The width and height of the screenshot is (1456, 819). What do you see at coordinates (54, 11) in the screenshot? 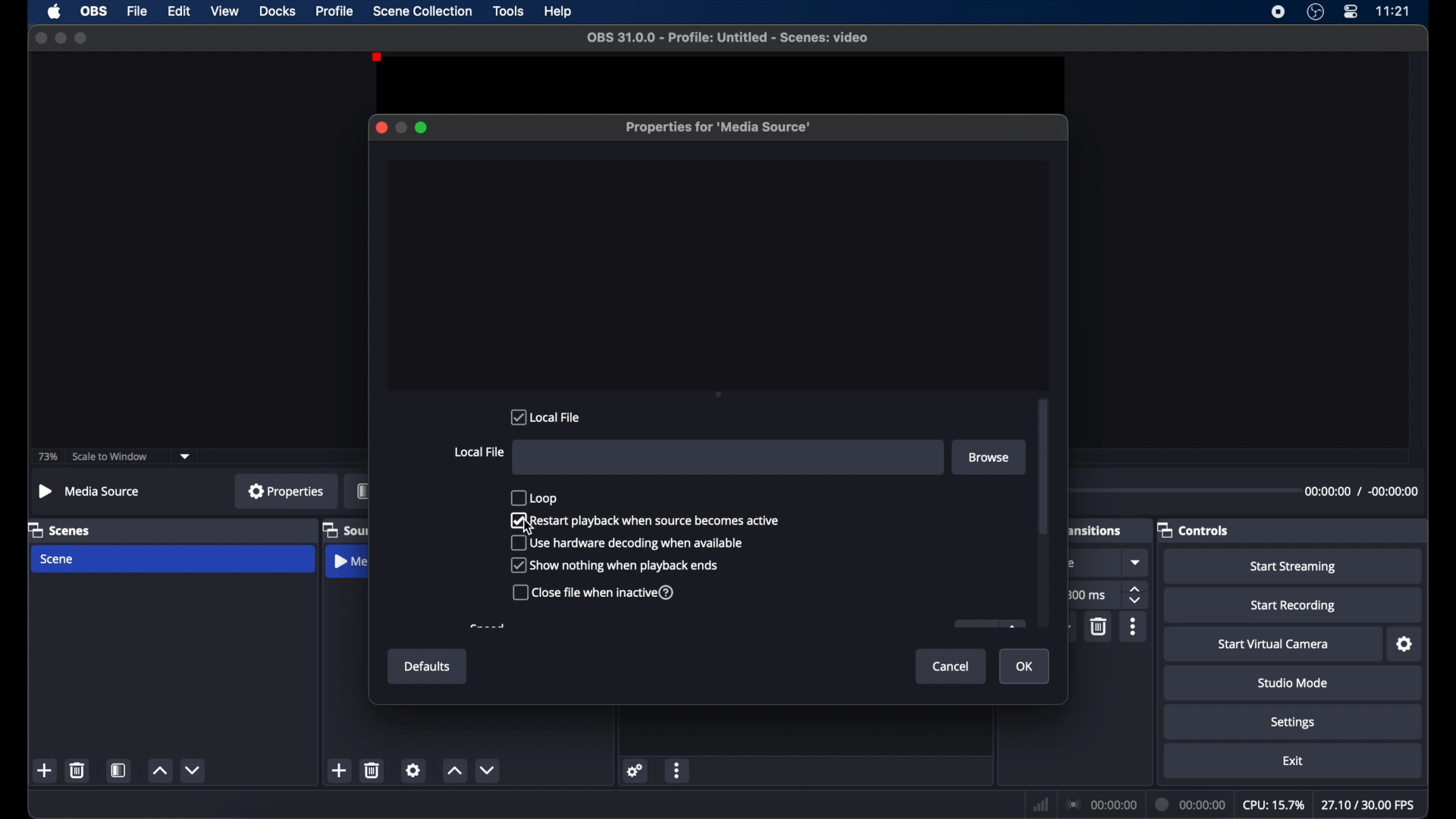
I see `apple icon` at bounding box center [54, 11].